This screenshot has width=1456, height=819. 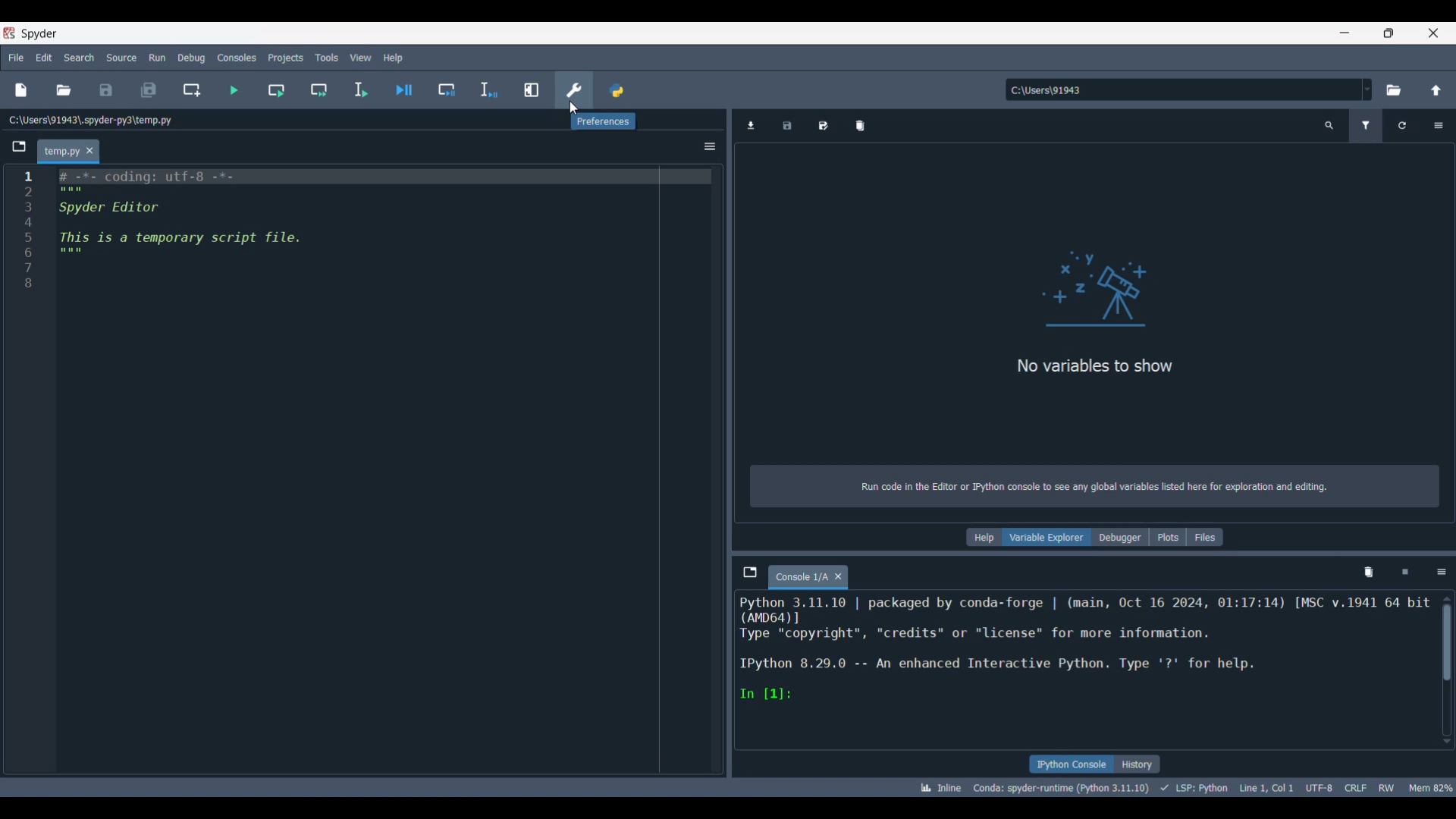 What do you see at coordinates (603, 121) in the screenshot?
I see `Description of current selection` at bounding box center [603, 121].